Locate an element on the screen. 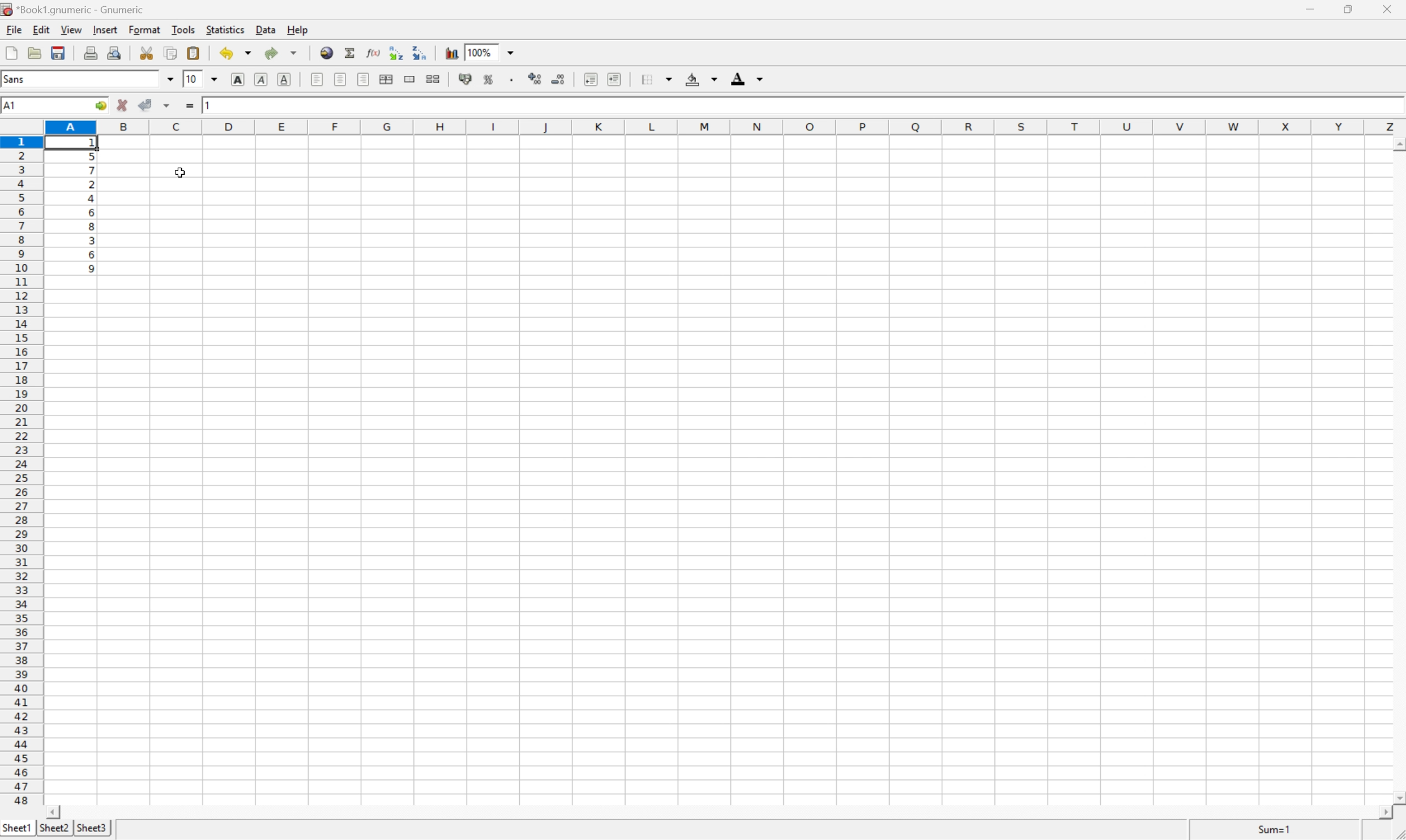 This screenshot has width=1406, height=840. scroll left is located at coordinates (54, 811).